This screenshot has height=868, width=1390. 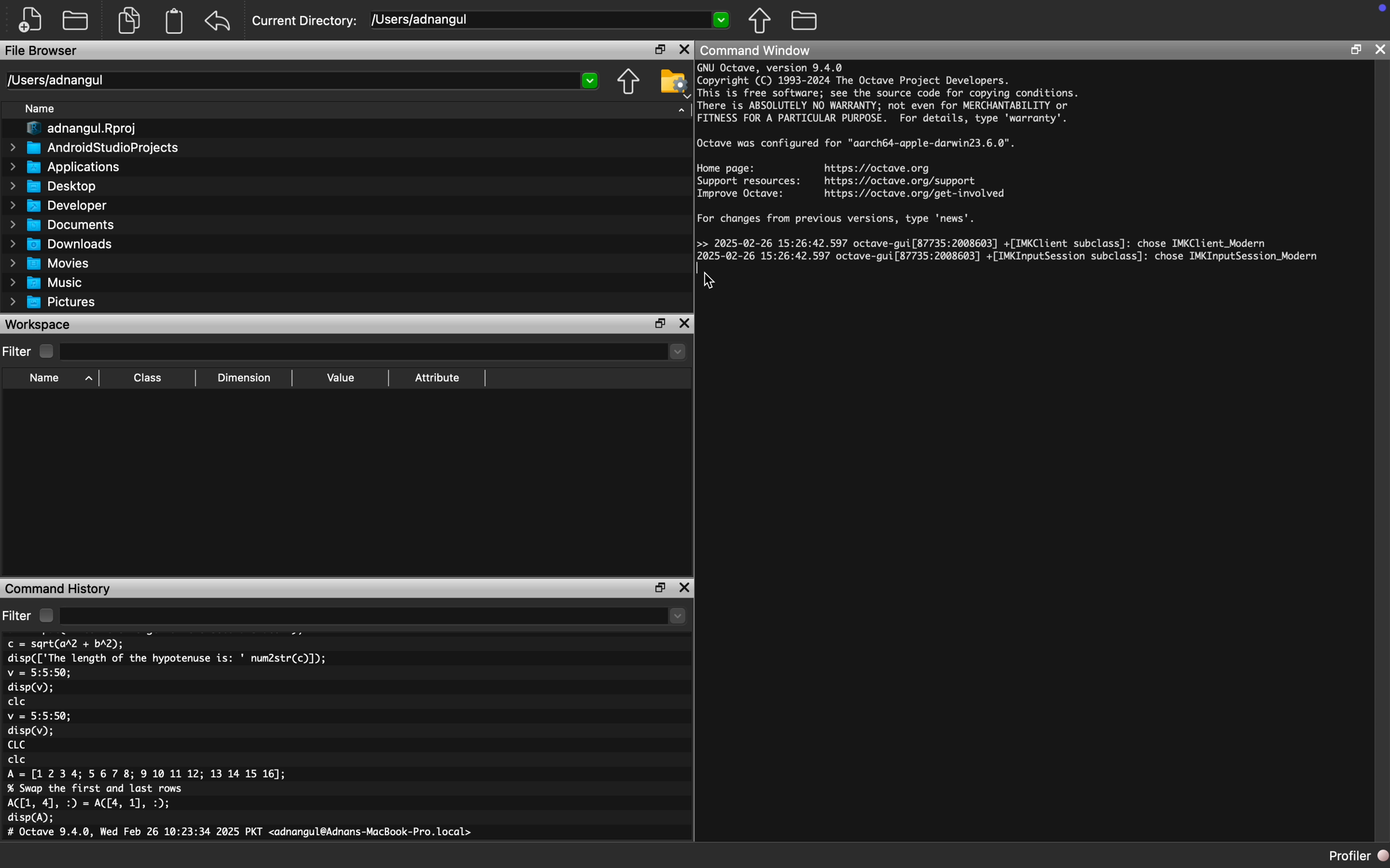 I want to click on disp(v);, so click(x=31, y=731).